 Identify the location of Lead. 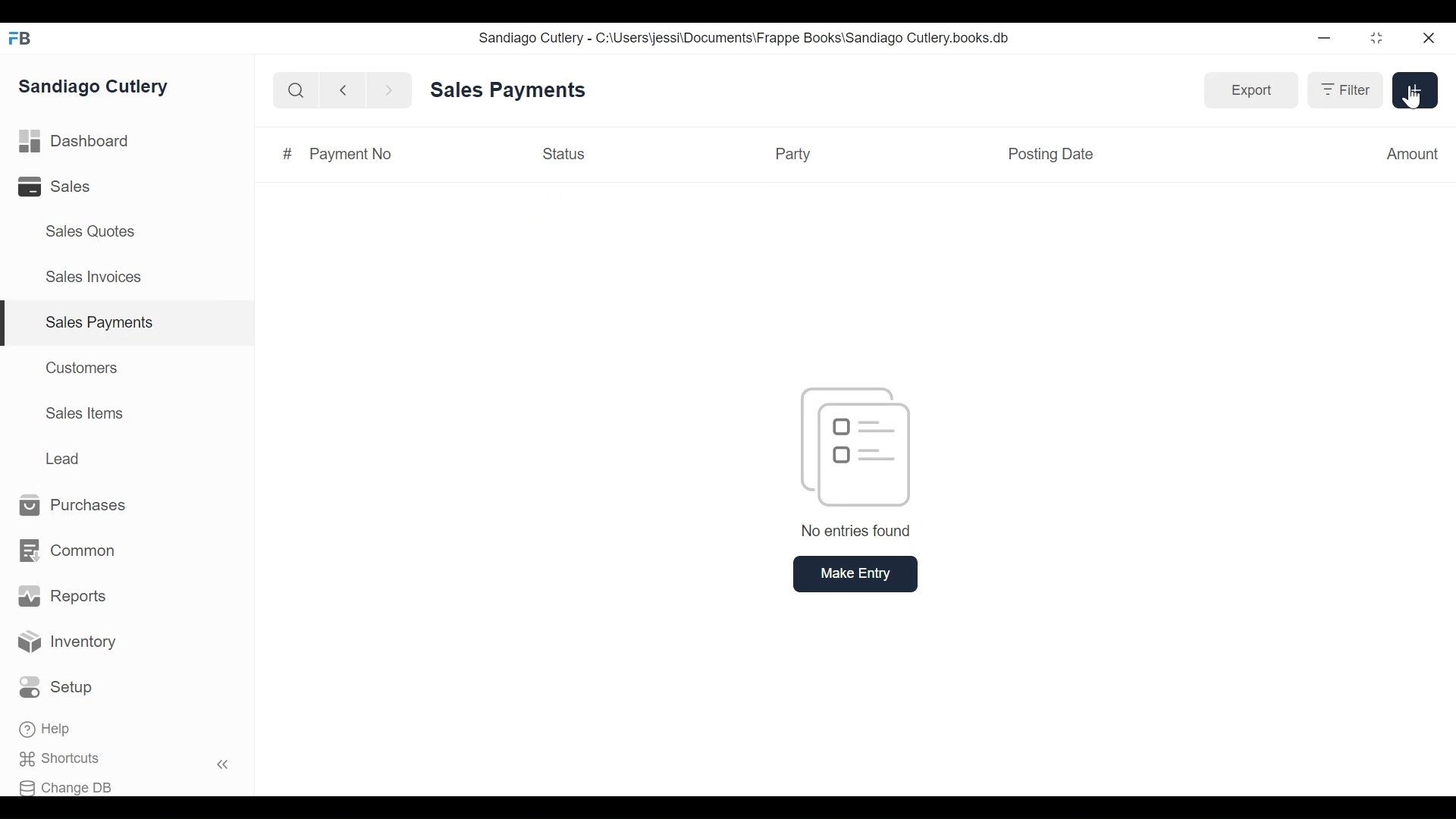
(65, 457).